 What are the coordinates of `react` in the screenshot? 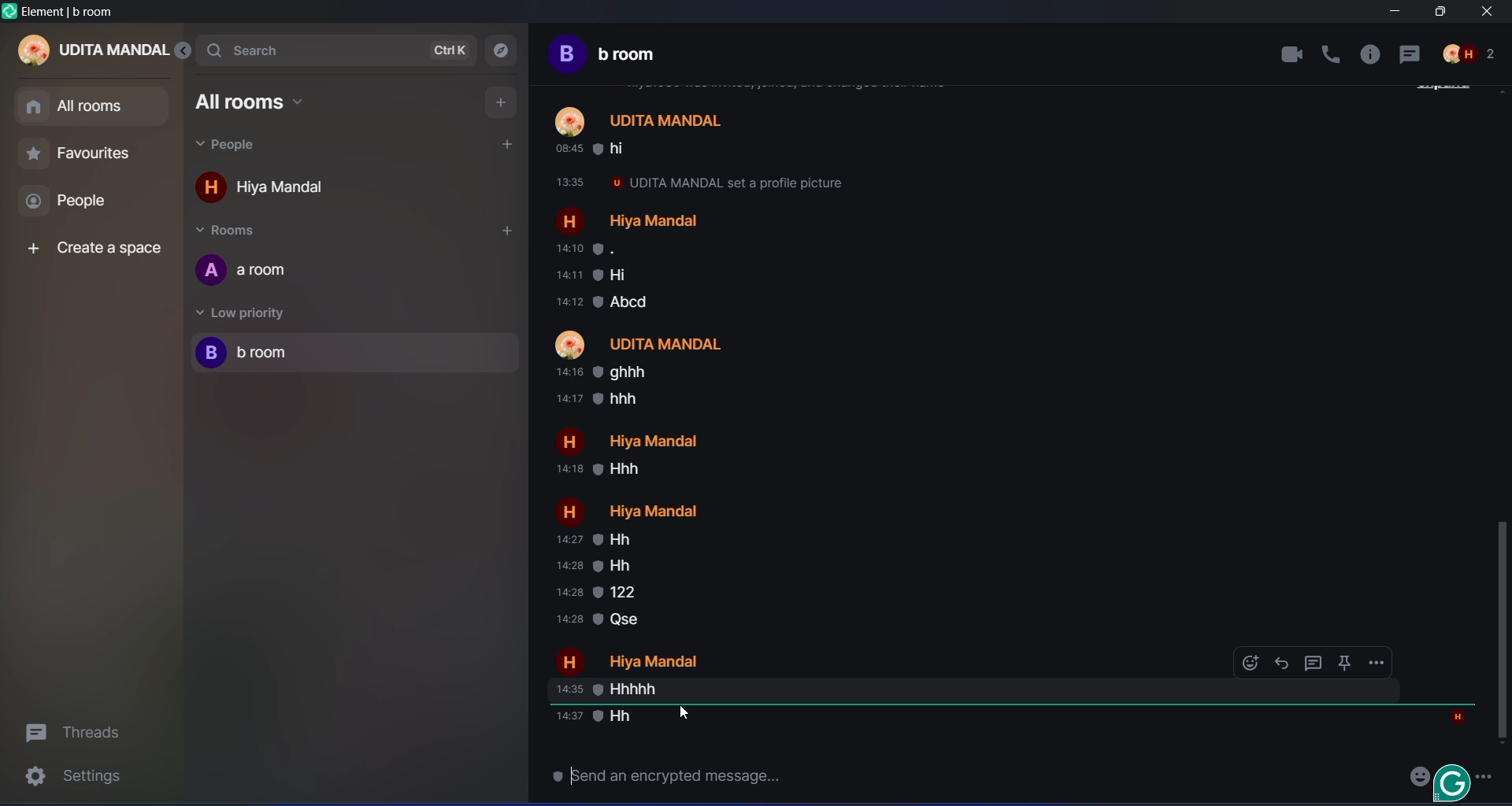 It's located at (1243, 661).